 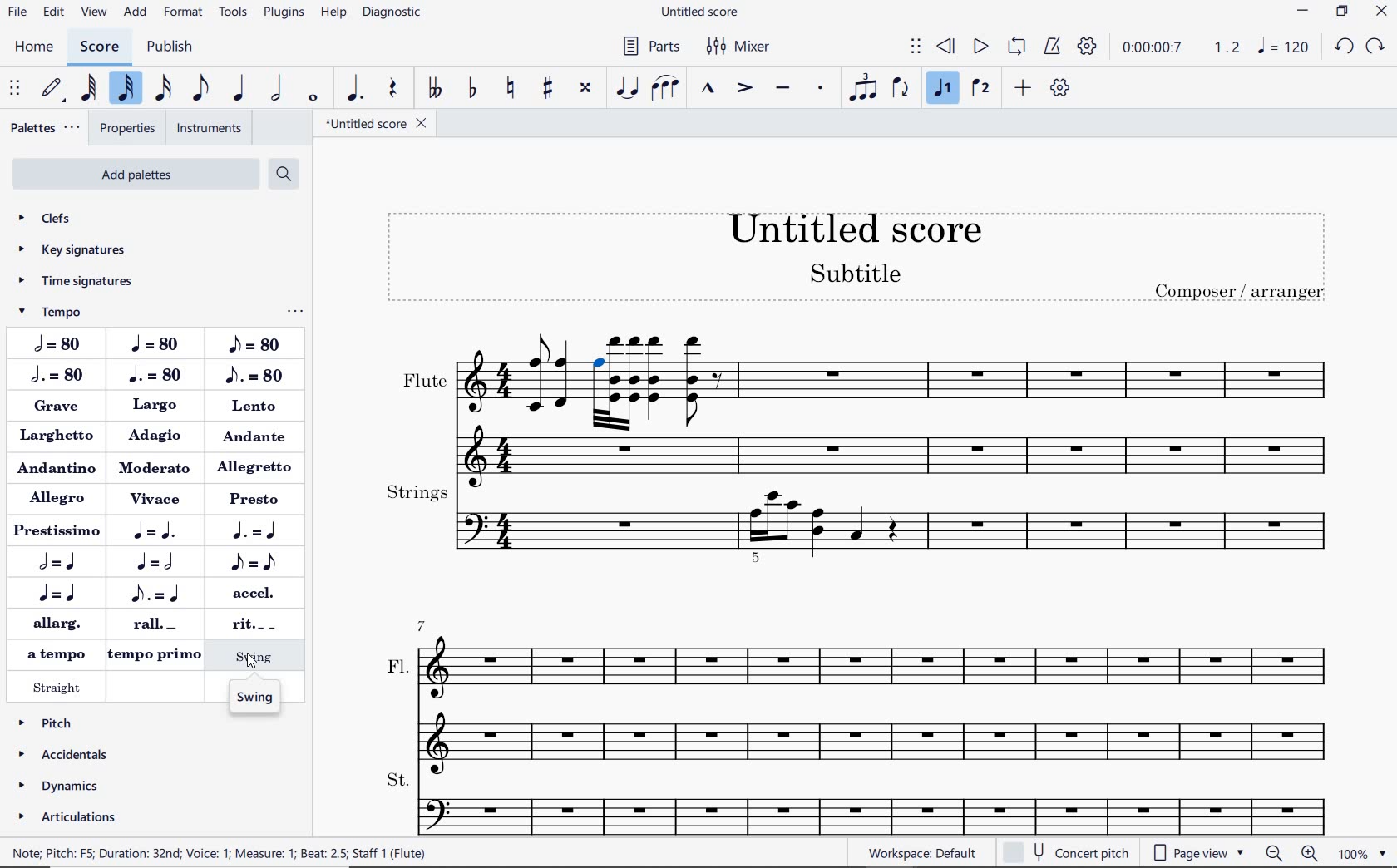 What do you see at coordinates (472, 89) in the screenshot?
I see `TOGGLE FLAT` at bounding box center [472, 89].